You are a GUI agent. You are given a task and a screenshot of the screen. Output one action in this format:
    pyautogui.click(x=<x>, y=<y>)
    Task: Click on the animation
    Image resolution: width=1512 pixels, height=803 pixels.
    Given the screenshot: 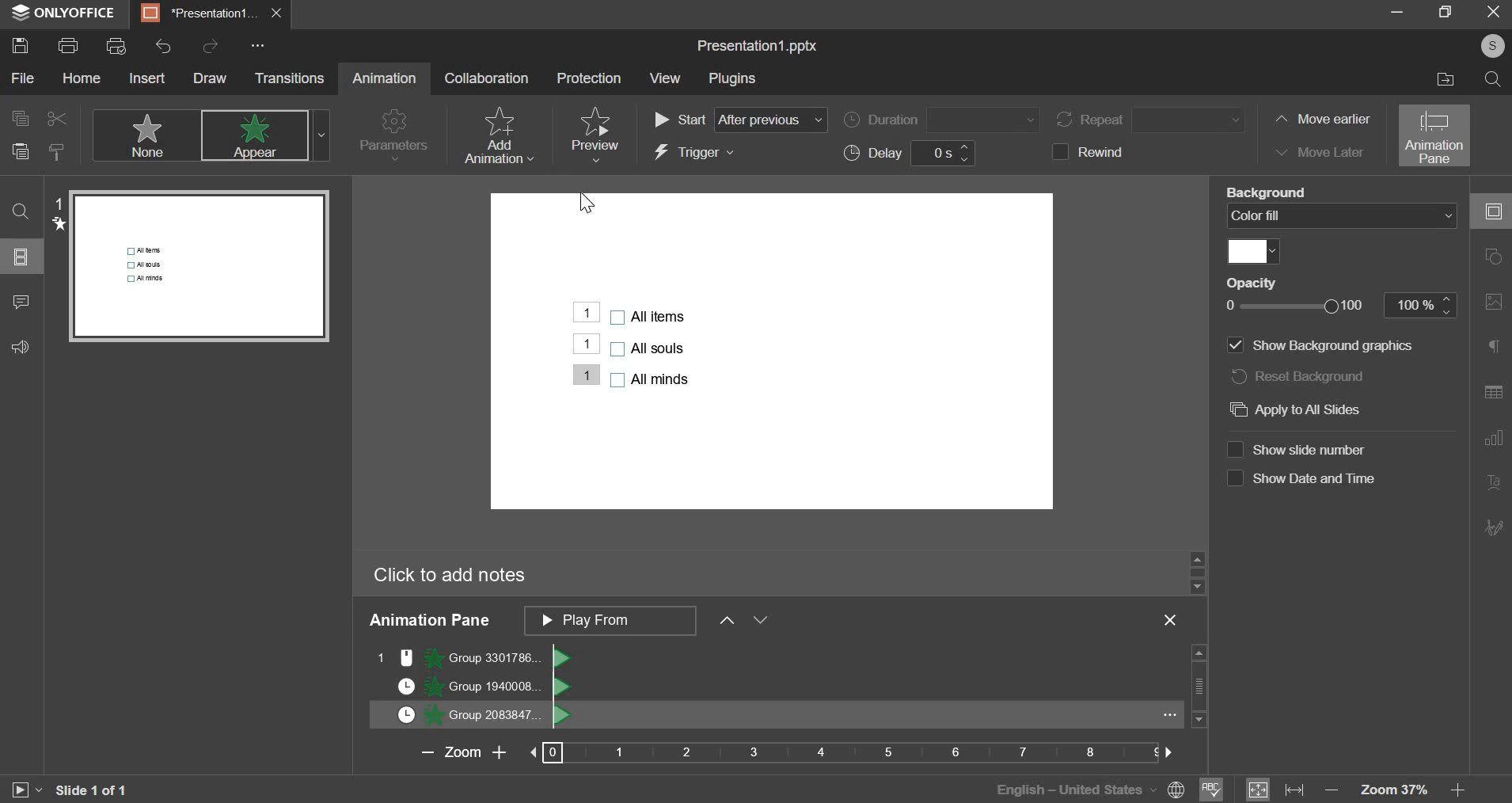 What is the action you would take?
    pyautogui.click(x=384, y=78)
    